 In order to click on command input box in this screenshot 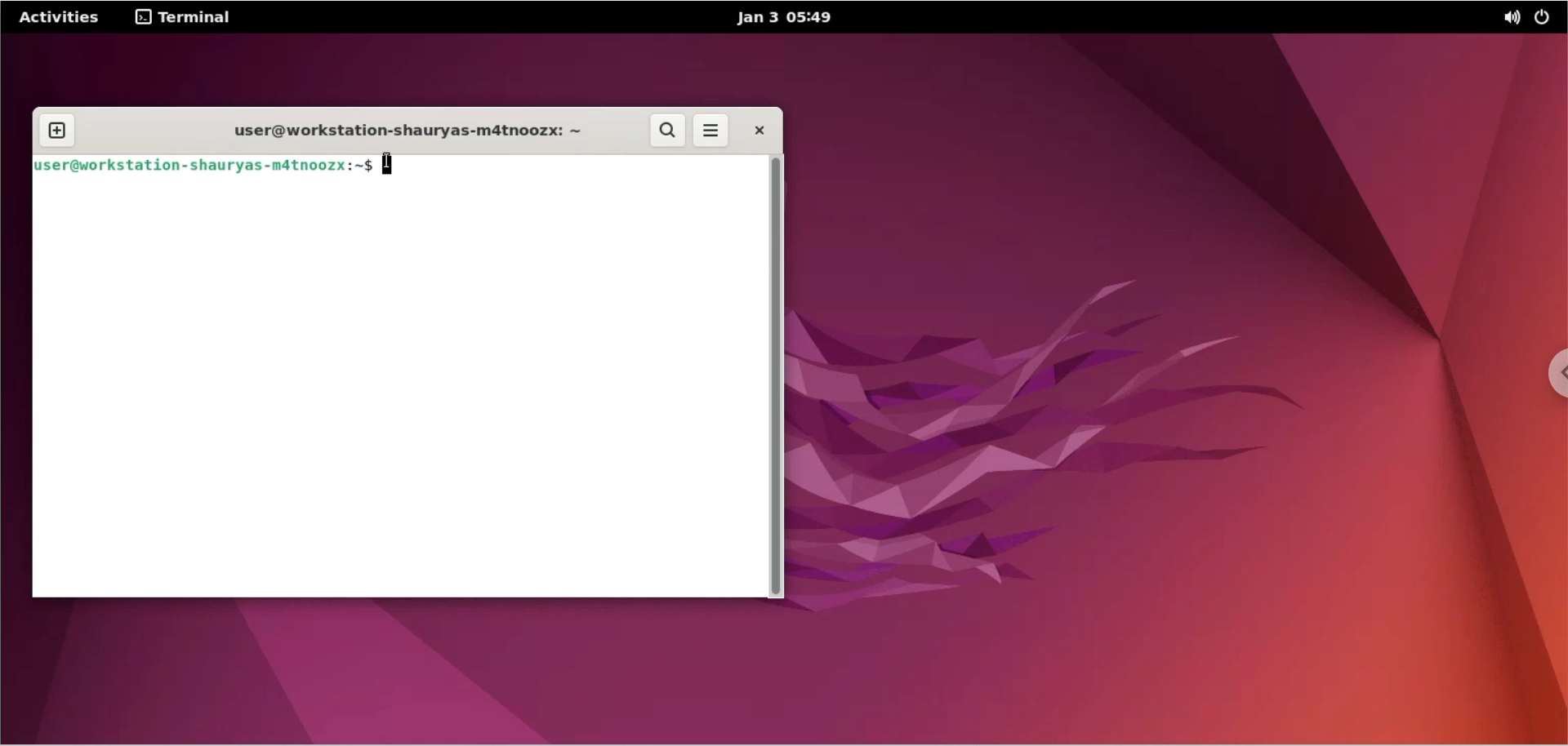, I will do `click(570, 166)`.